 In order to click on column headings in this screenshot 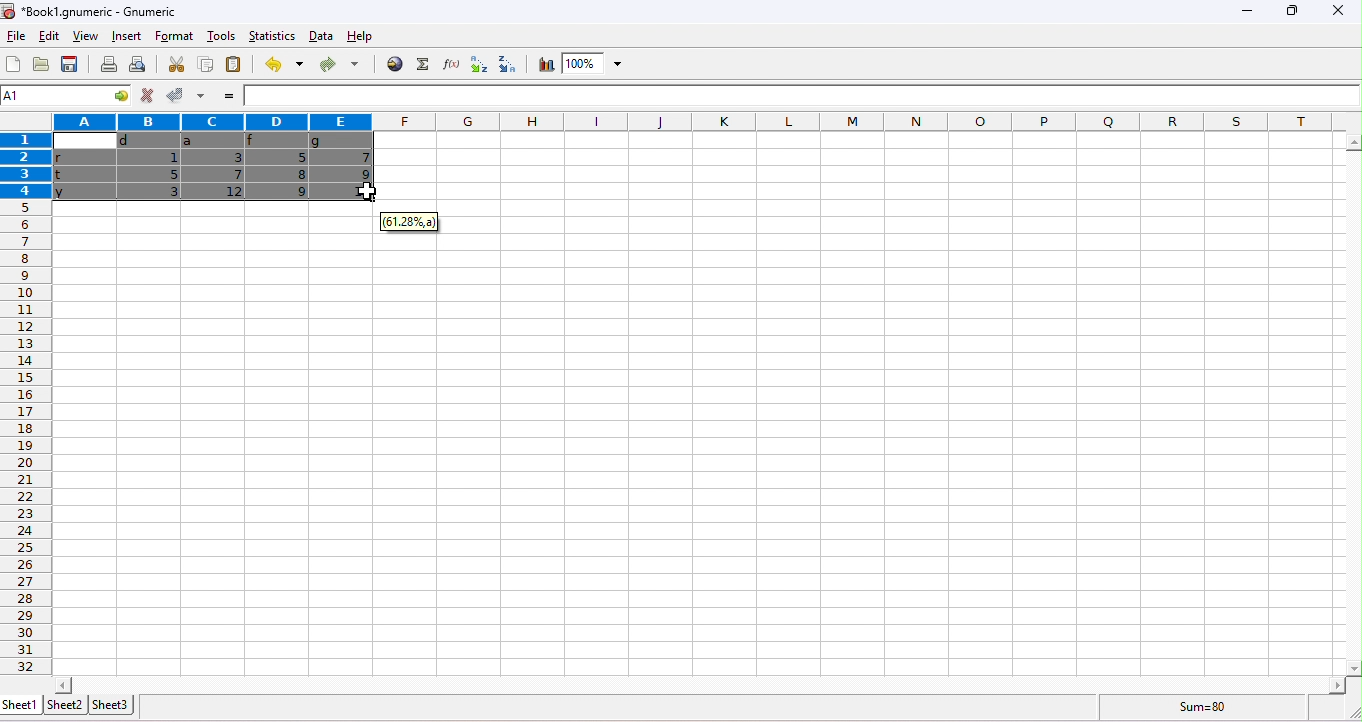, I will do `click(674, 122)`.